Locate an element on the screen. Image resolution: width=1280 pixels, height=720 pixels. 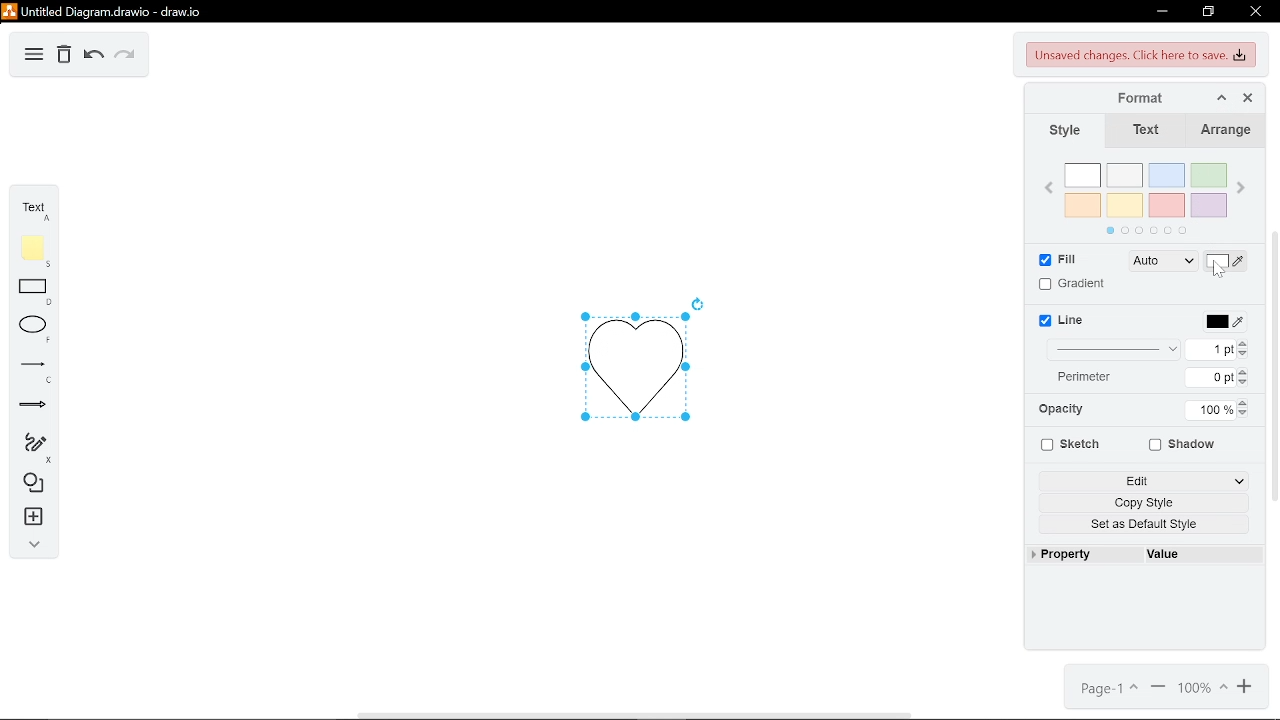
zoom out is located at coordinates (1158, 688).